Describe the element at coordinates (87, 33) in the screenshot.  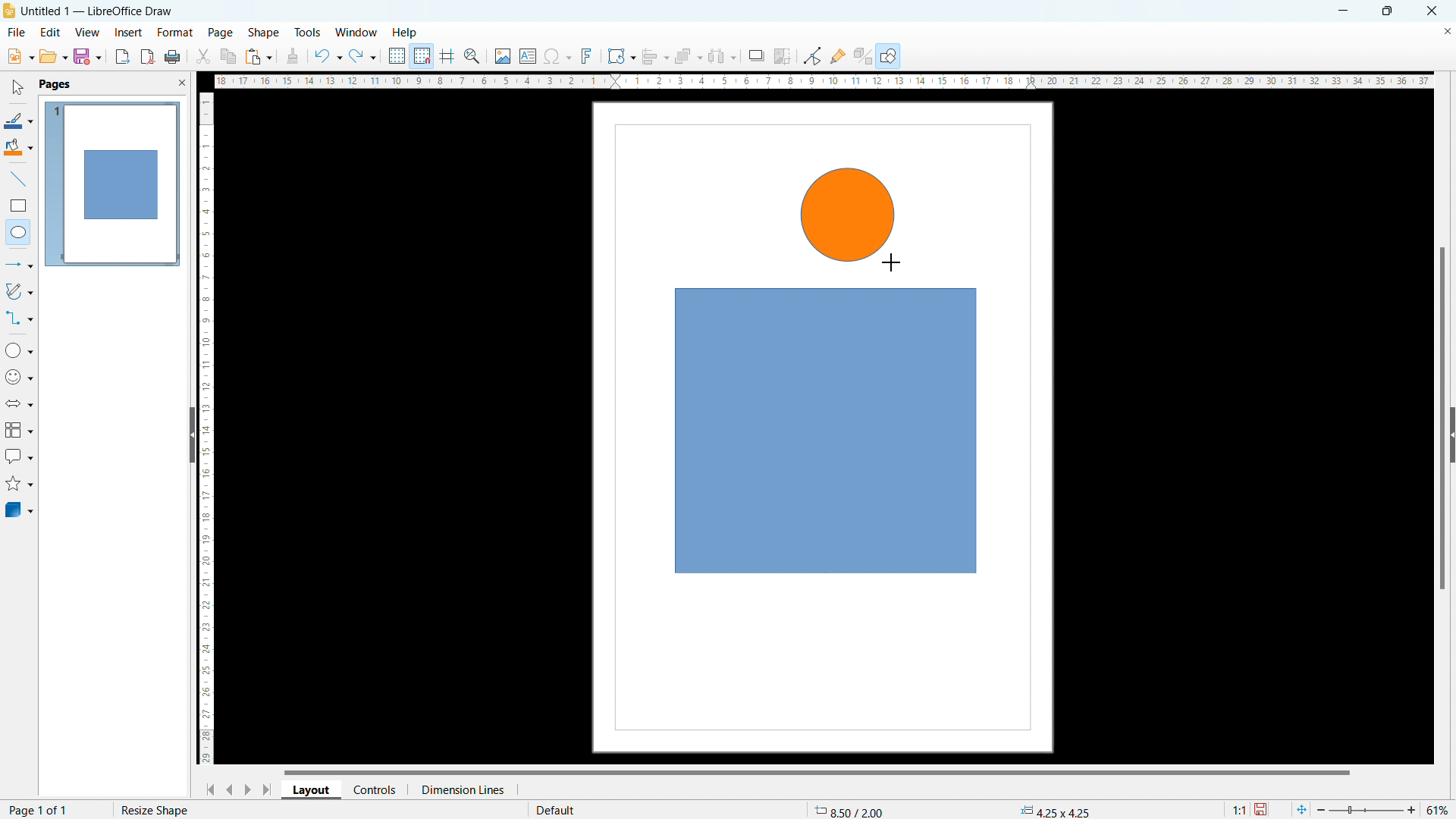
I see `view` at that location.